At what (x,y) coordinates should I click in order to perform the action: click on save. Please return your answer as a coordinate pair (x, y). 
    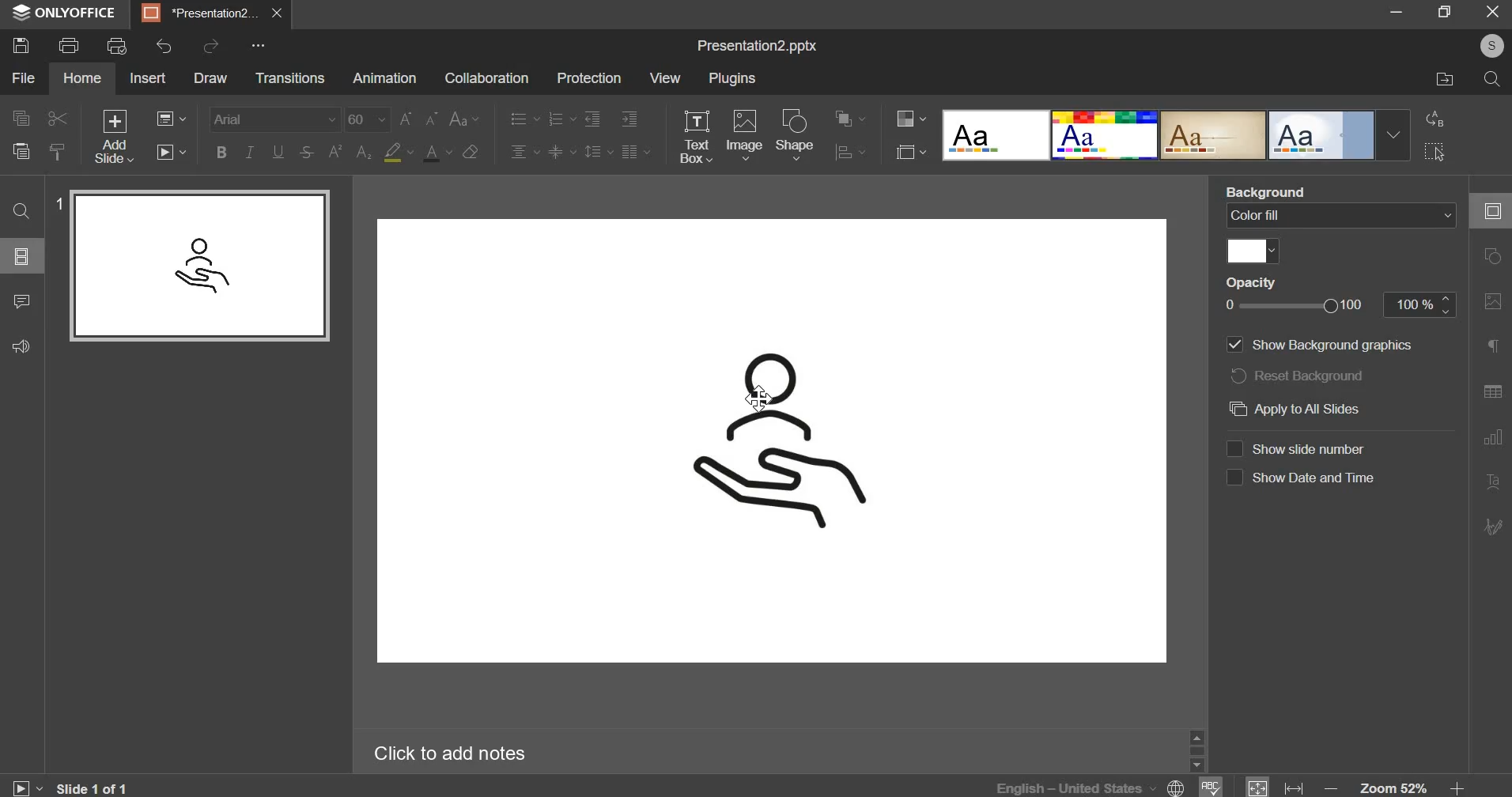
    Looking at the image, I should click on (21, 44).